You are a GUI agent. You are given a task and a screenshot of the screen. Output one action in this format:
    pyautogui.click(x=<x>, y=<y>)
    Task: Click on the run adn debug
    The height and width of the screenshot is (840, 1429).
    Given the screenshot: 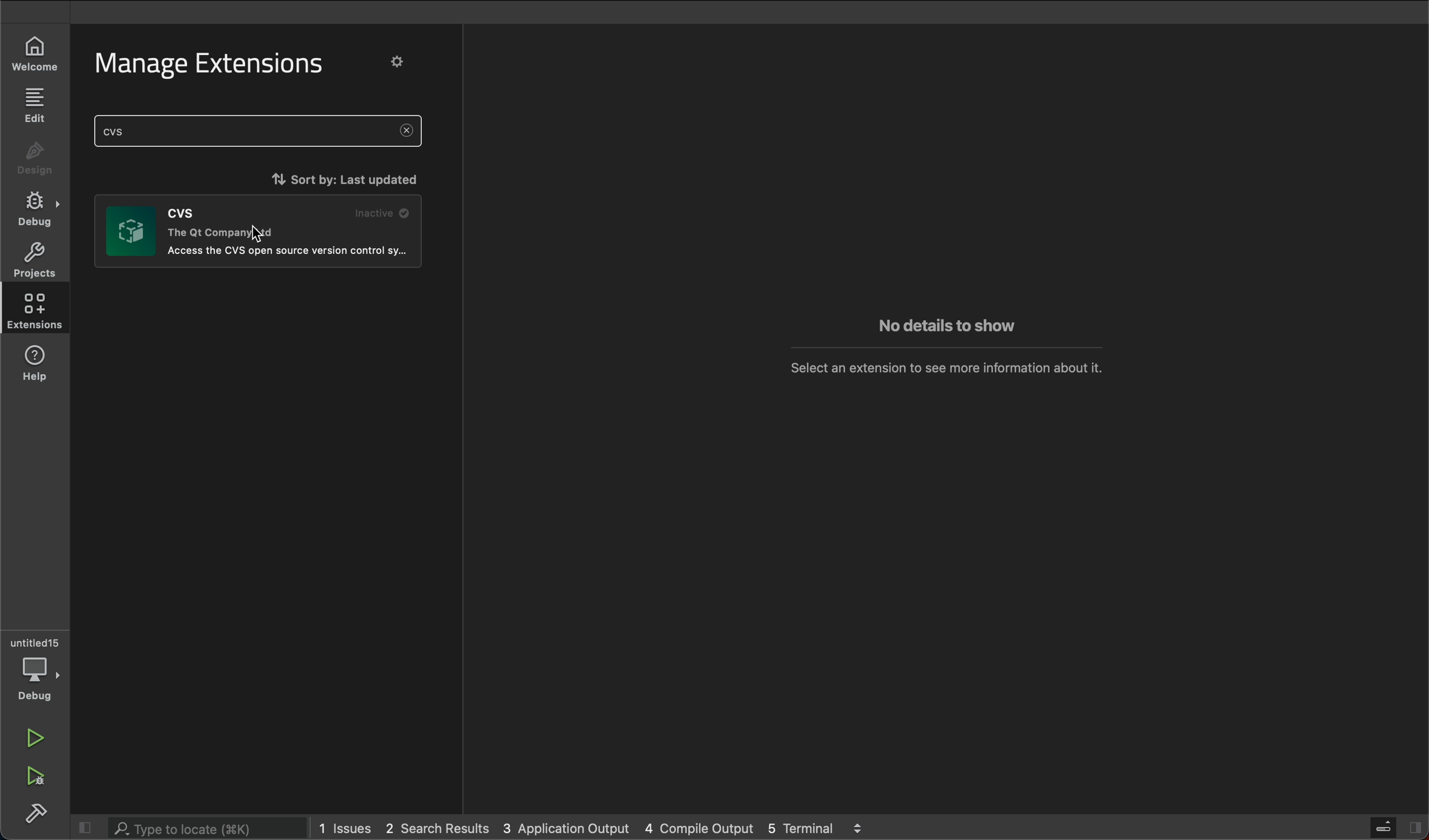 What is the action you would take?
    pyautogui.click(x=34, y=777)
    